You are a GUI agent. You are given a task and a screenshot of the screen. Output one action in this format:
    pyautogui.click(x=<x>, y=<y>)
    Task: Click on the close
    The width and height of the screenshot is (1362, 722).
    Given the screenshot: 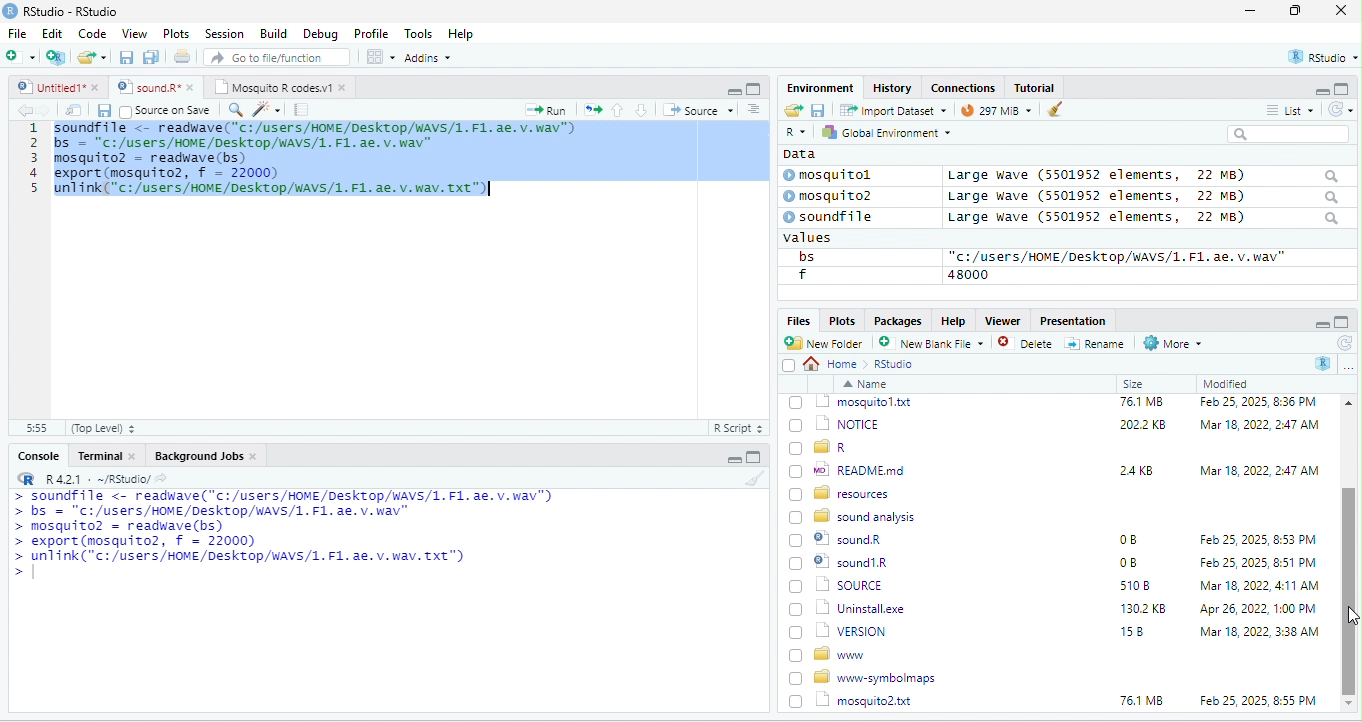 What is the action you would take?
    pyautogui.click(x=1341, y=12)
    